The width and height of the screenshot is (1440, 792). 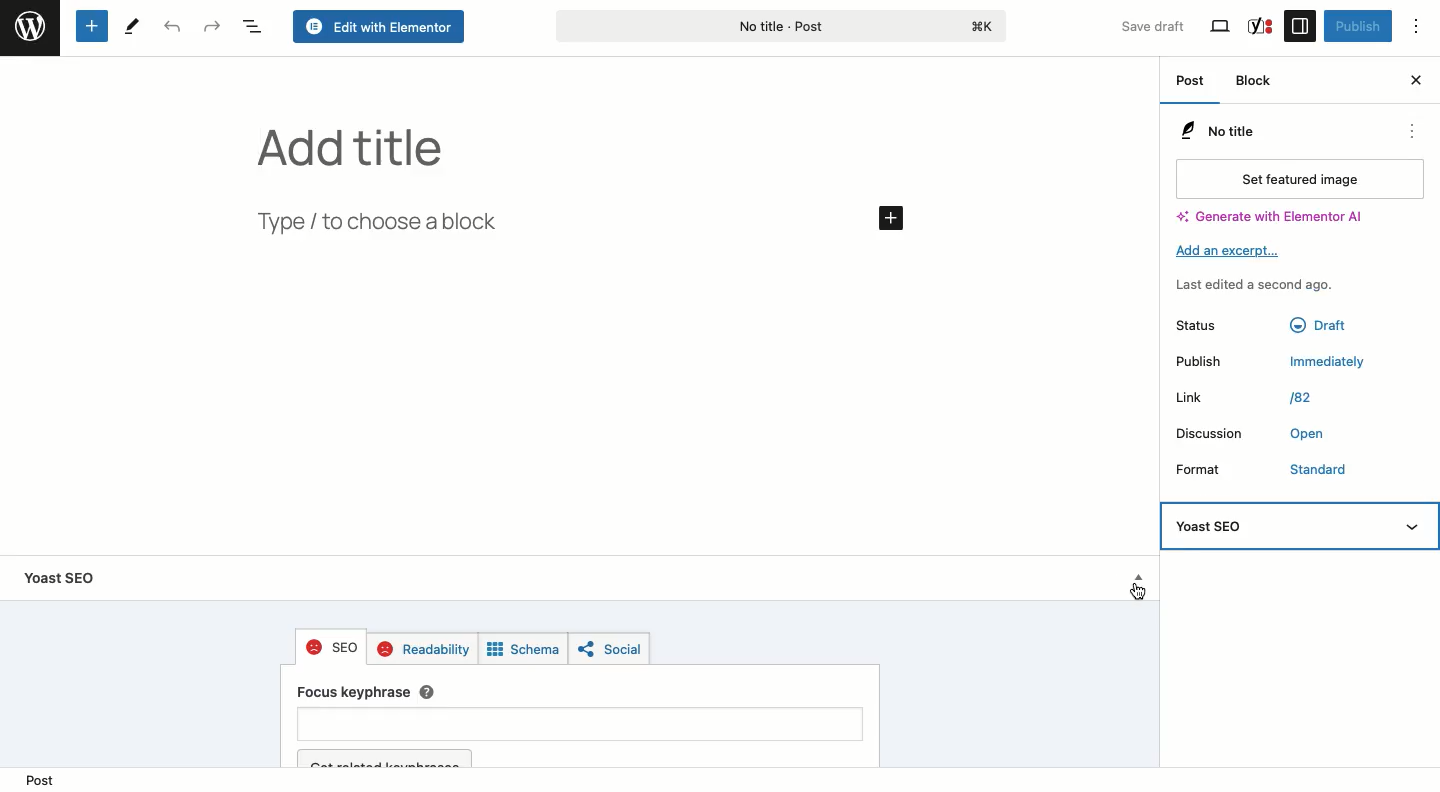 I want to click on Set featured image, so click(x=1297, y=178).